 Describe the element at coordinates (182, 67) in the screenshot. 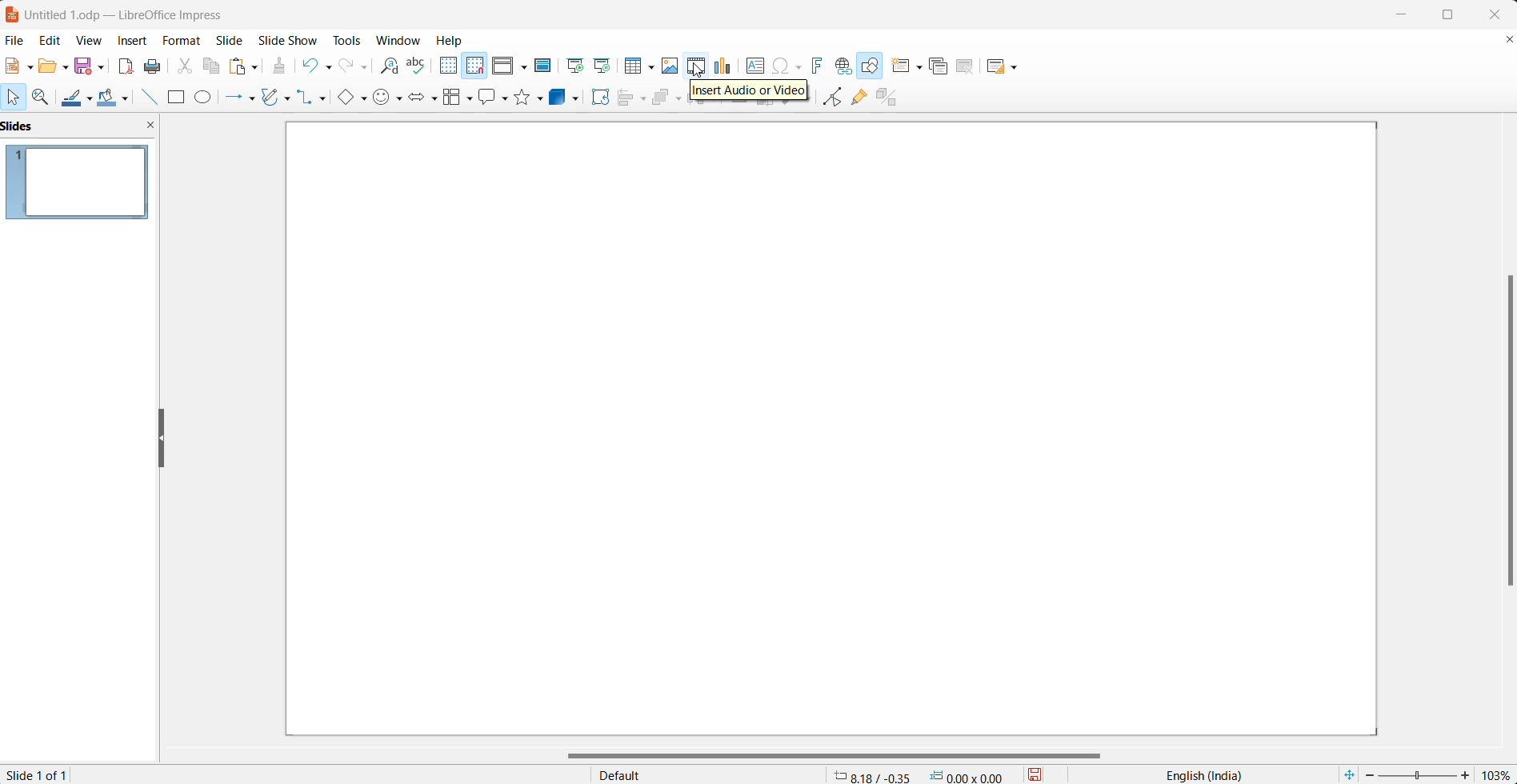

I see `cut` at that location.